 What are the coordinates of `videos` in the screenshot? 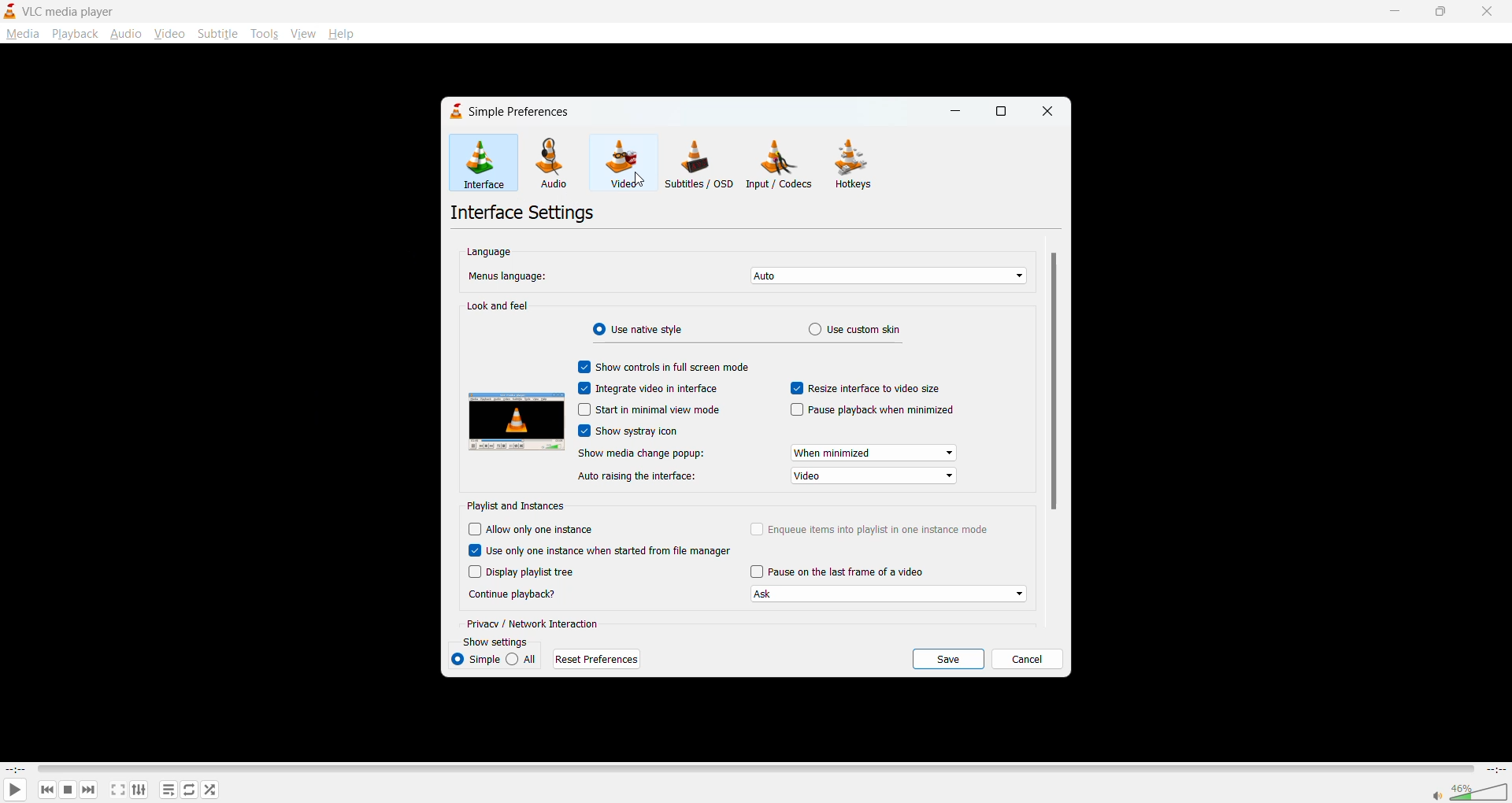 It's located at (621, 161).